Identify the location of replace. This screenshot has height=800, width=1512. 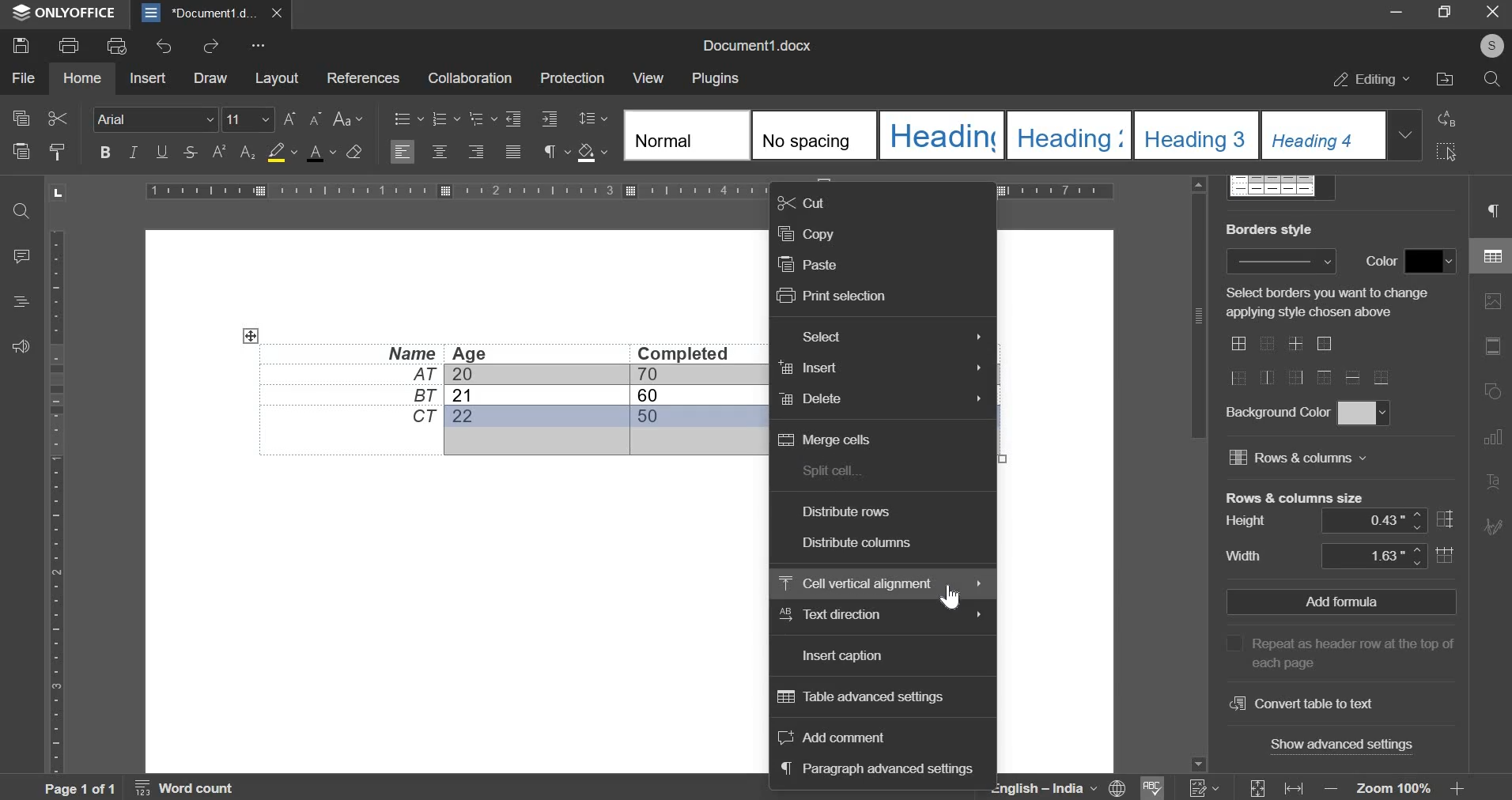
(1448, 120).